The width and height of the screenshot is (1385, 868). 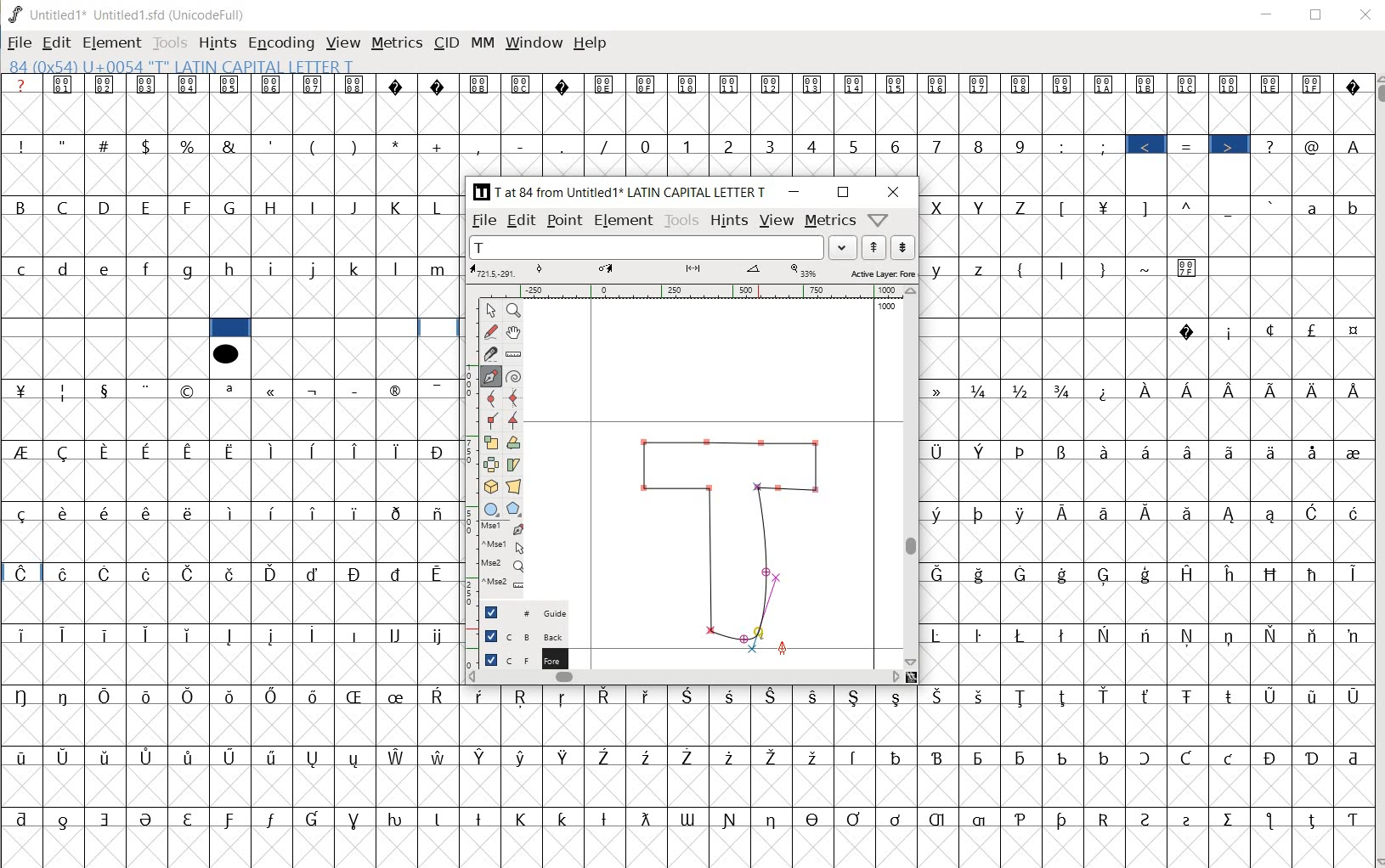 I want to click on Symbol, so click(x=1189, y=695).